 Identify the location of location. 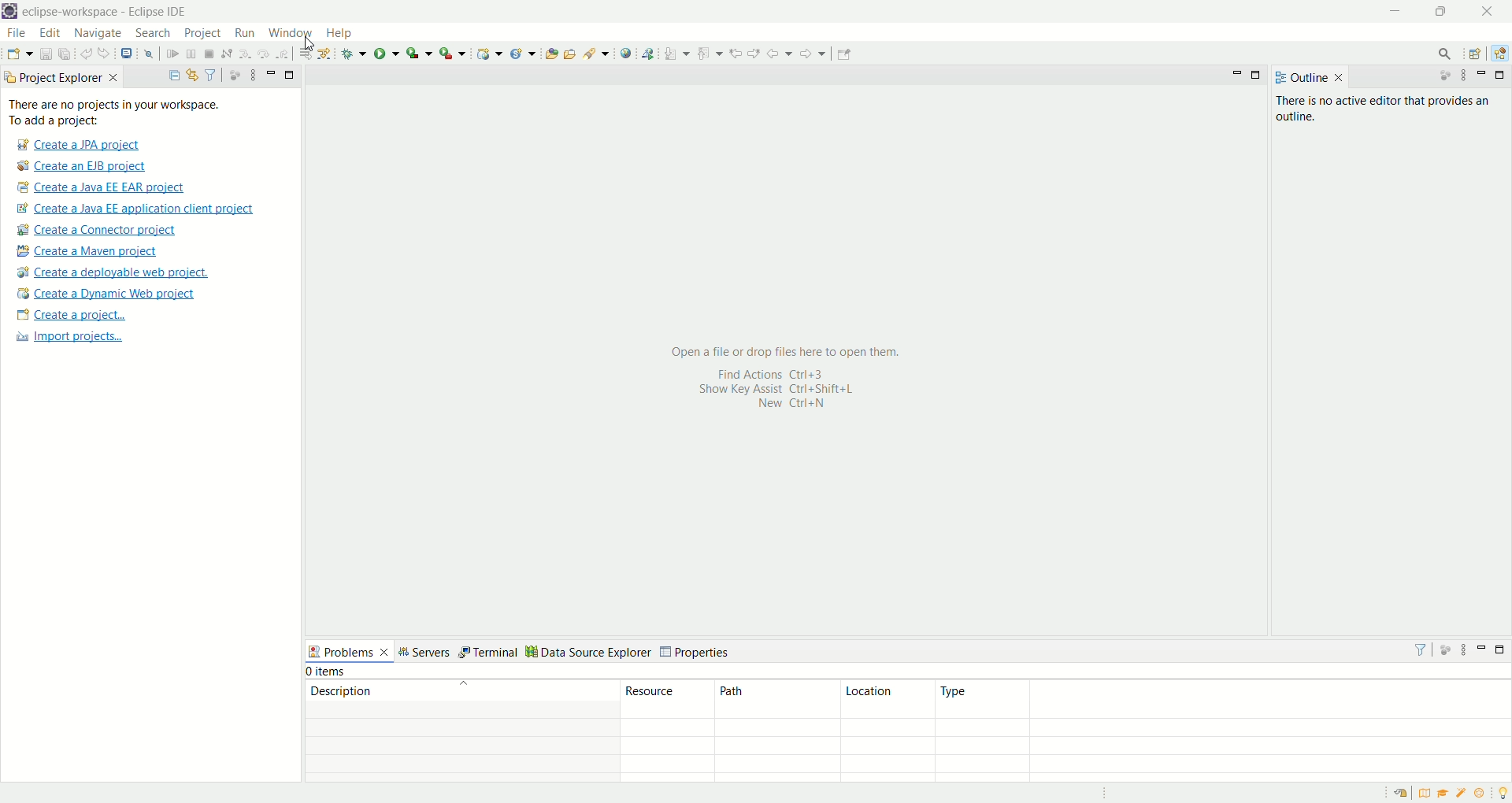
(888, 698).